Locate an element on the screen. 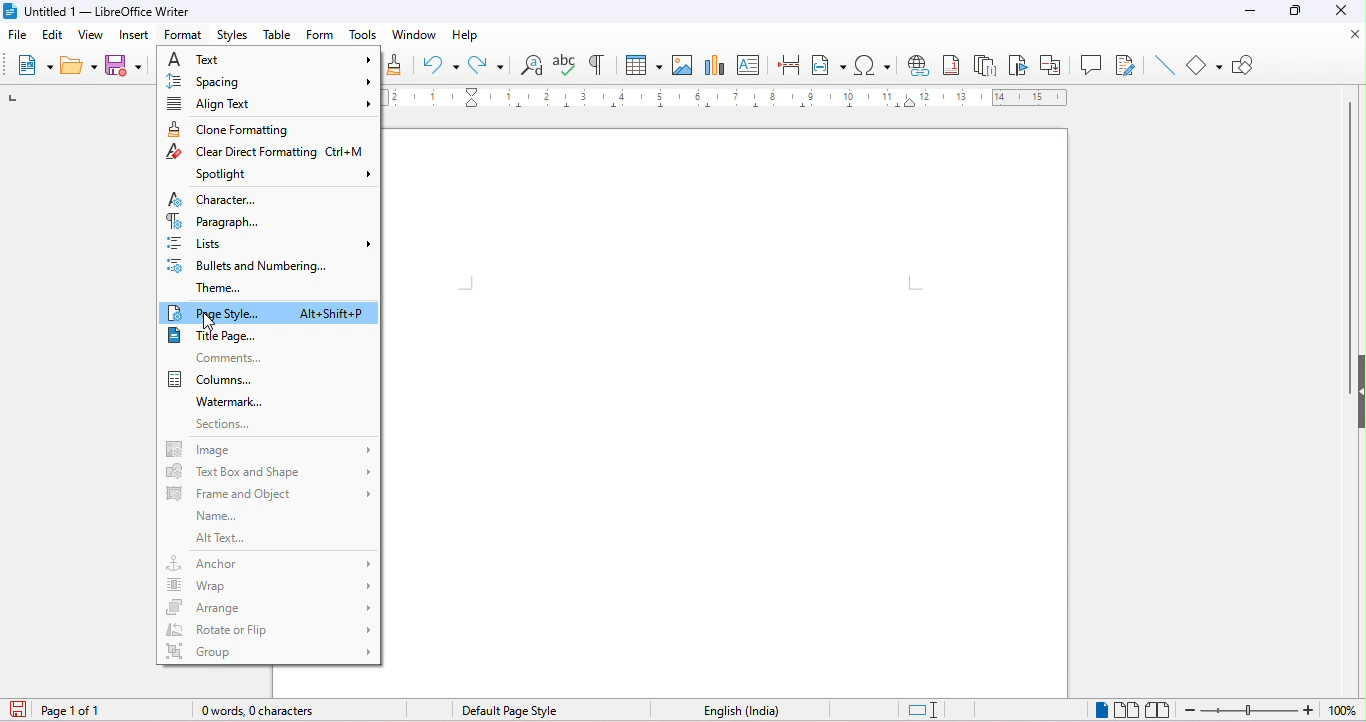 The image size is (1366, 722). bullets and numbering is located at coordinates (251, 267).